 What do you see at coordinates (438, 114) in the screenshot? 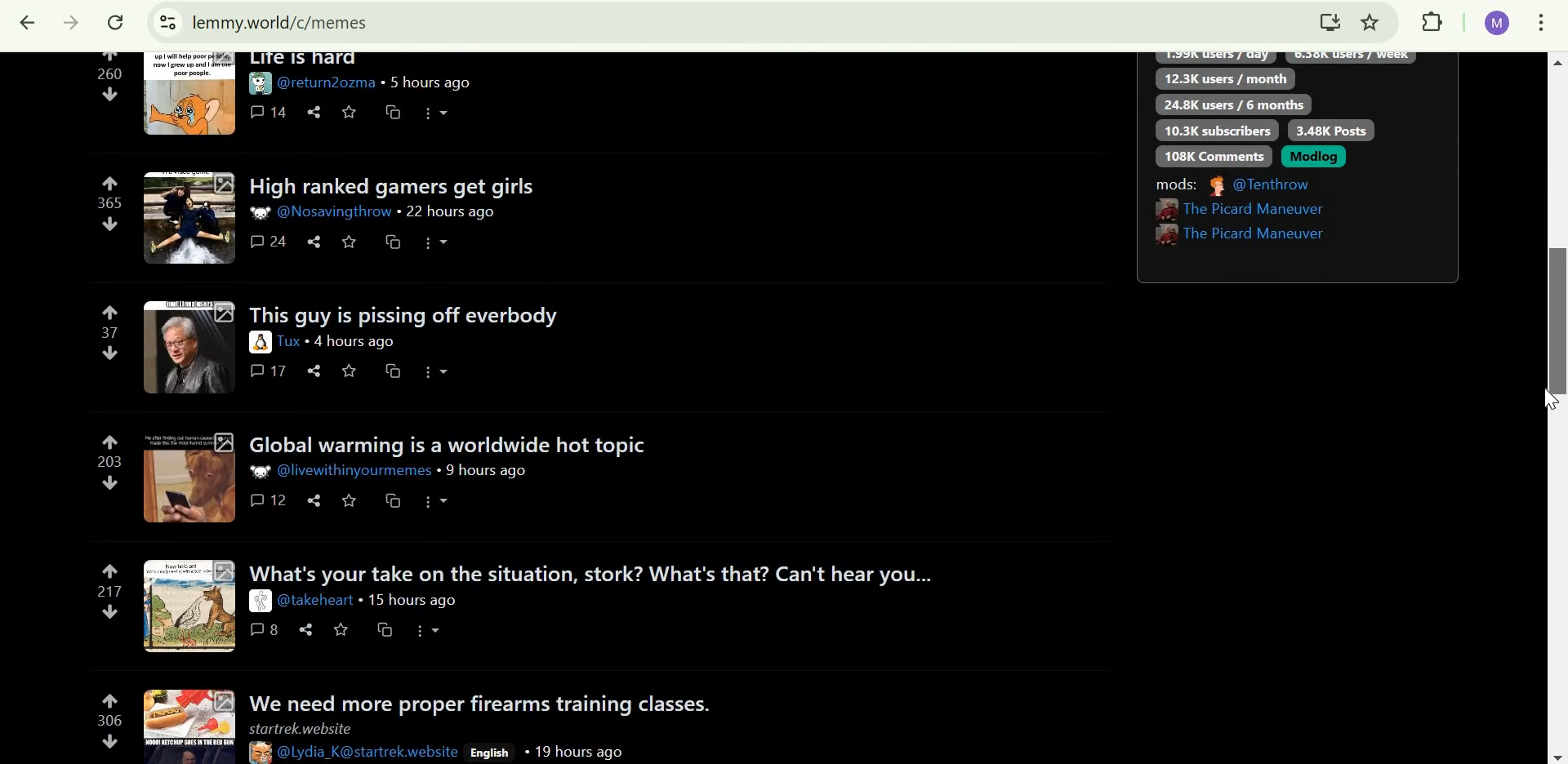
I see `more` at bounding box center [438, 114].